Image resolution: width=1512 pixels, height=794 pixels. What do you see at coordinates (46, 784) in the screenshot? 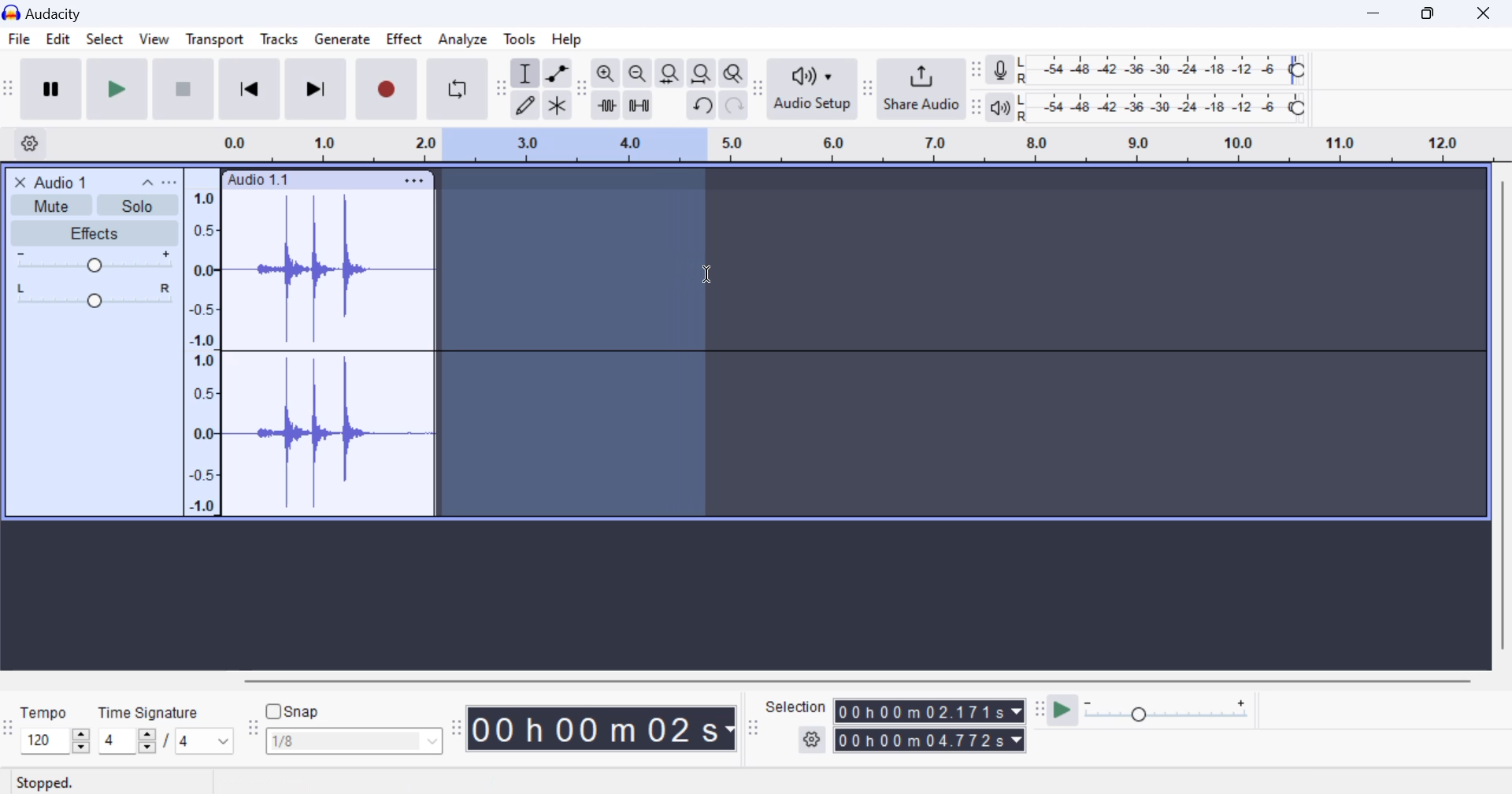
I see `Clip Status` at bounding box center [46, 784].